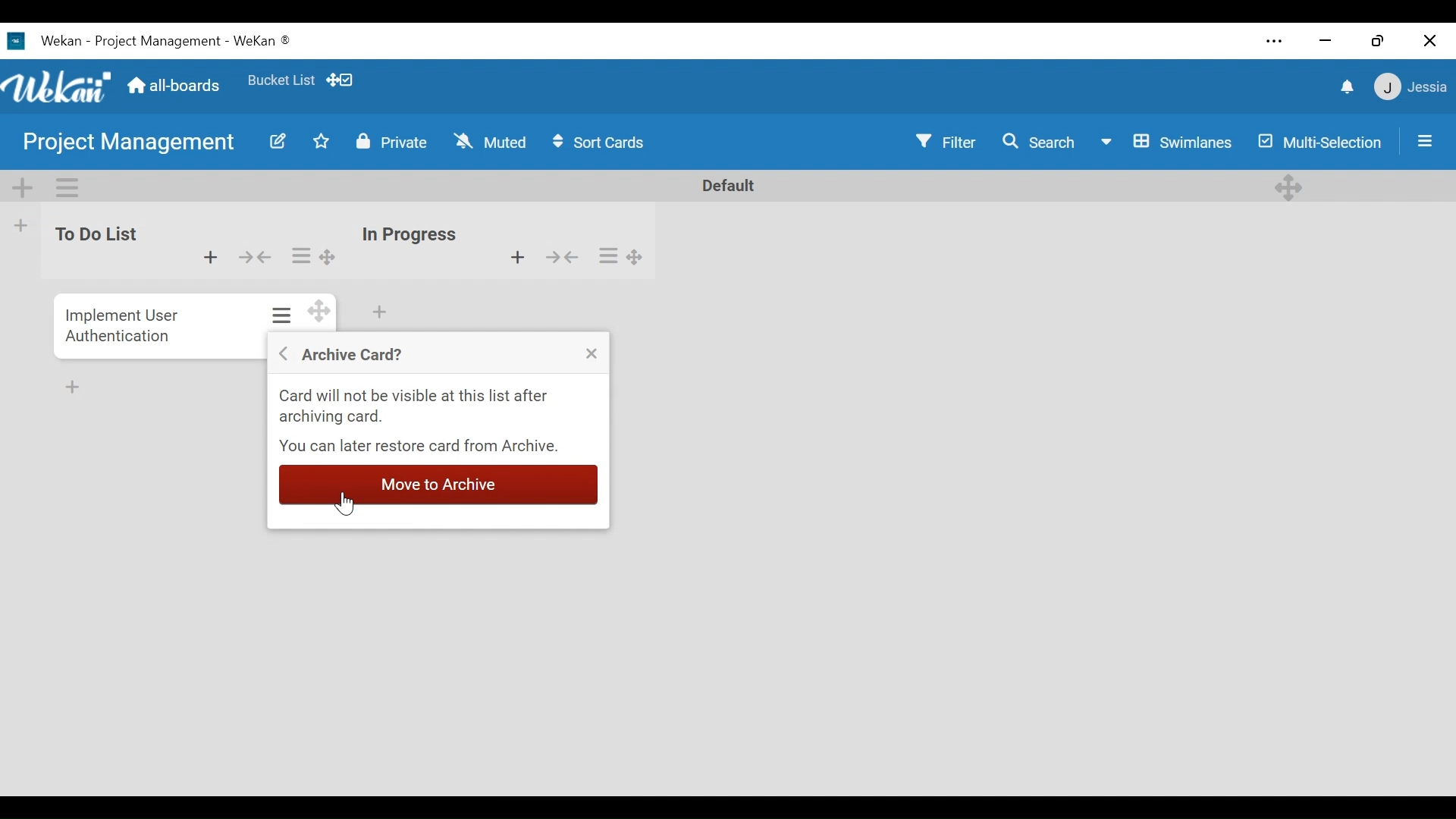 The image size is (1456, 819). What do you see at coordinates (946, 142) in the screenshot?
I see `Filter` at bounding box center [946, 142].